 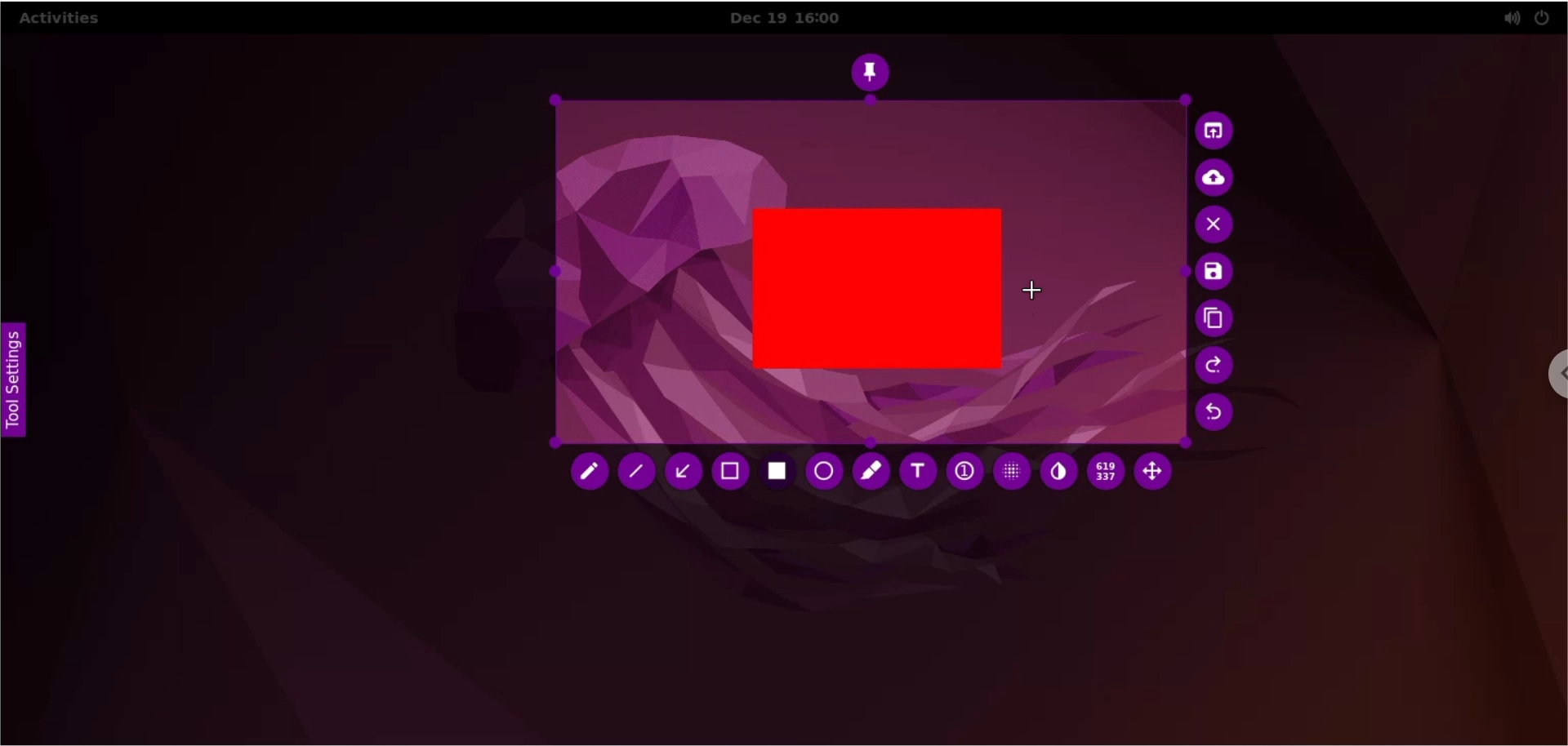 What do you see at coordinates (871, 473) in the screenshot?
I see `marker tool` at bounding box center [871, 473].